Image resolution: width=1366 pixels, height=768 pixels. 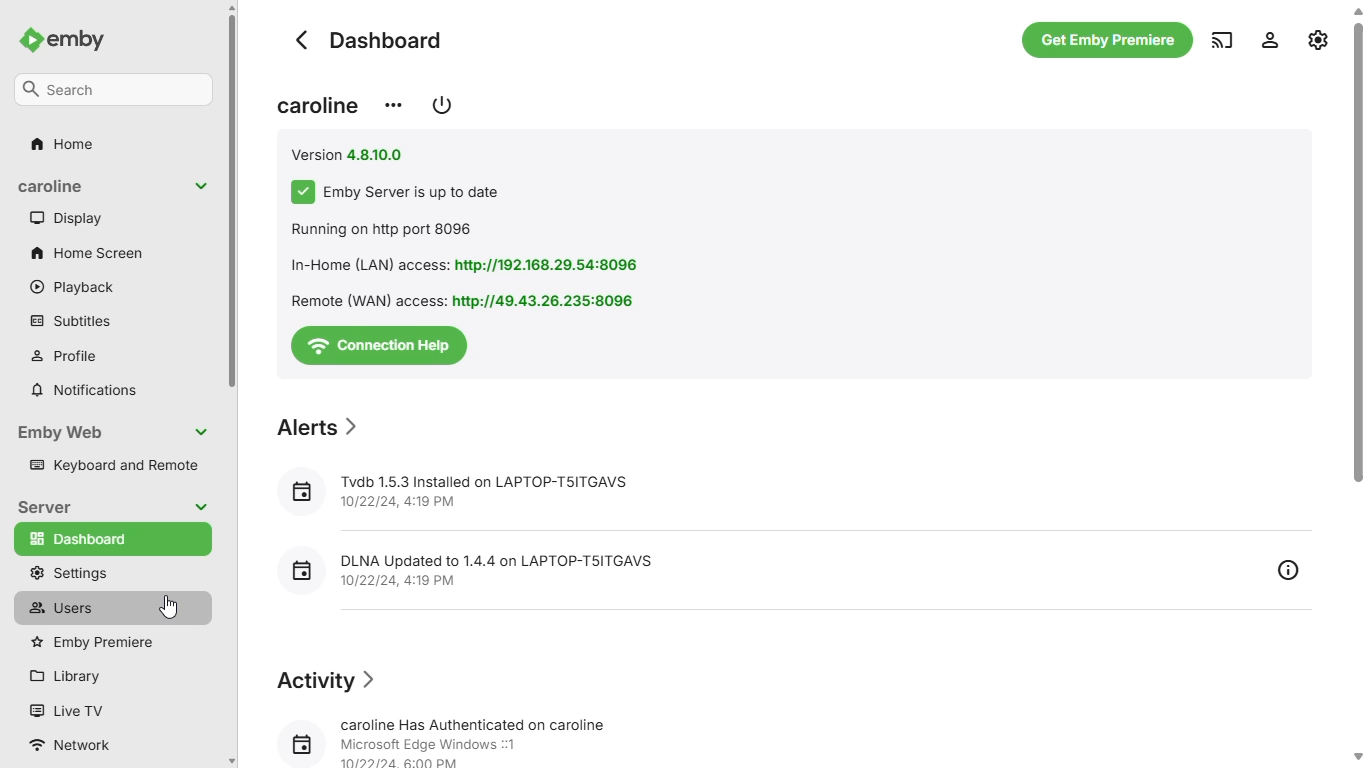 What do you see at coordinates (466, 265) in the screenshot?
I see `In-Home (LAN) access: http://192.168.29.54:8096` at bounding box center [466, 265].